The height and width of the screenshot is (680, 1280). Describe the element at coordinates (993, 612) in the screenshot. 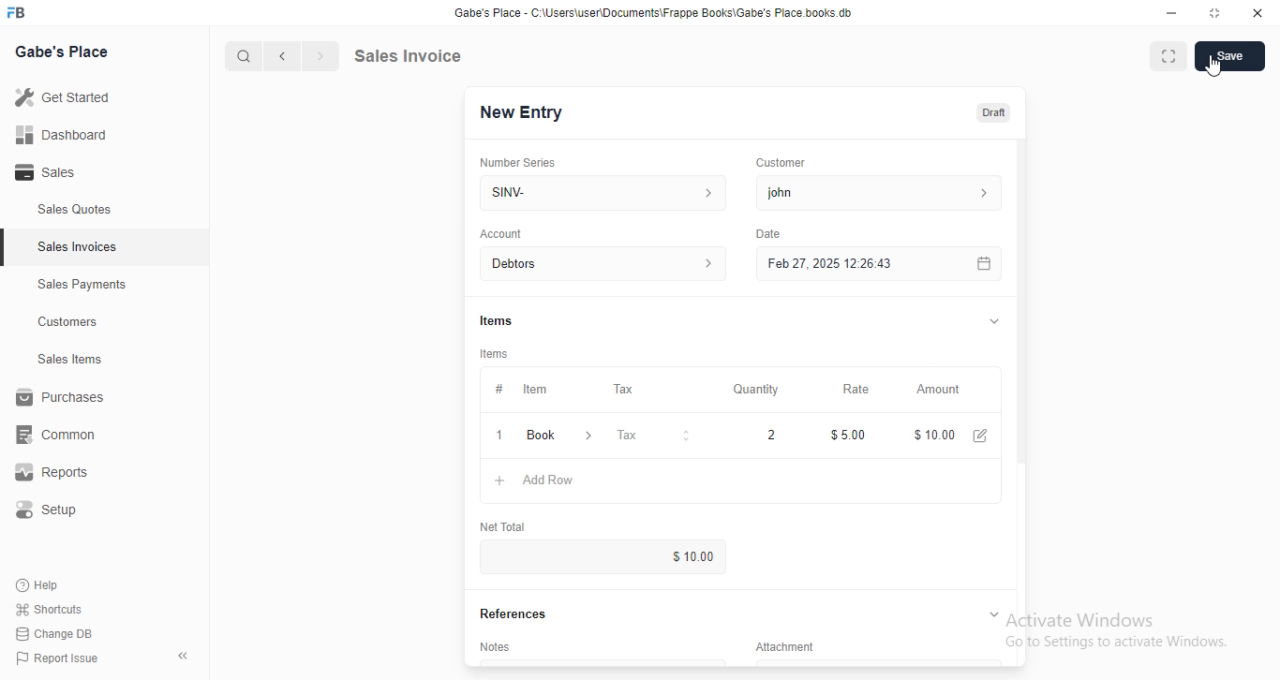

I see `Expand` at that location.